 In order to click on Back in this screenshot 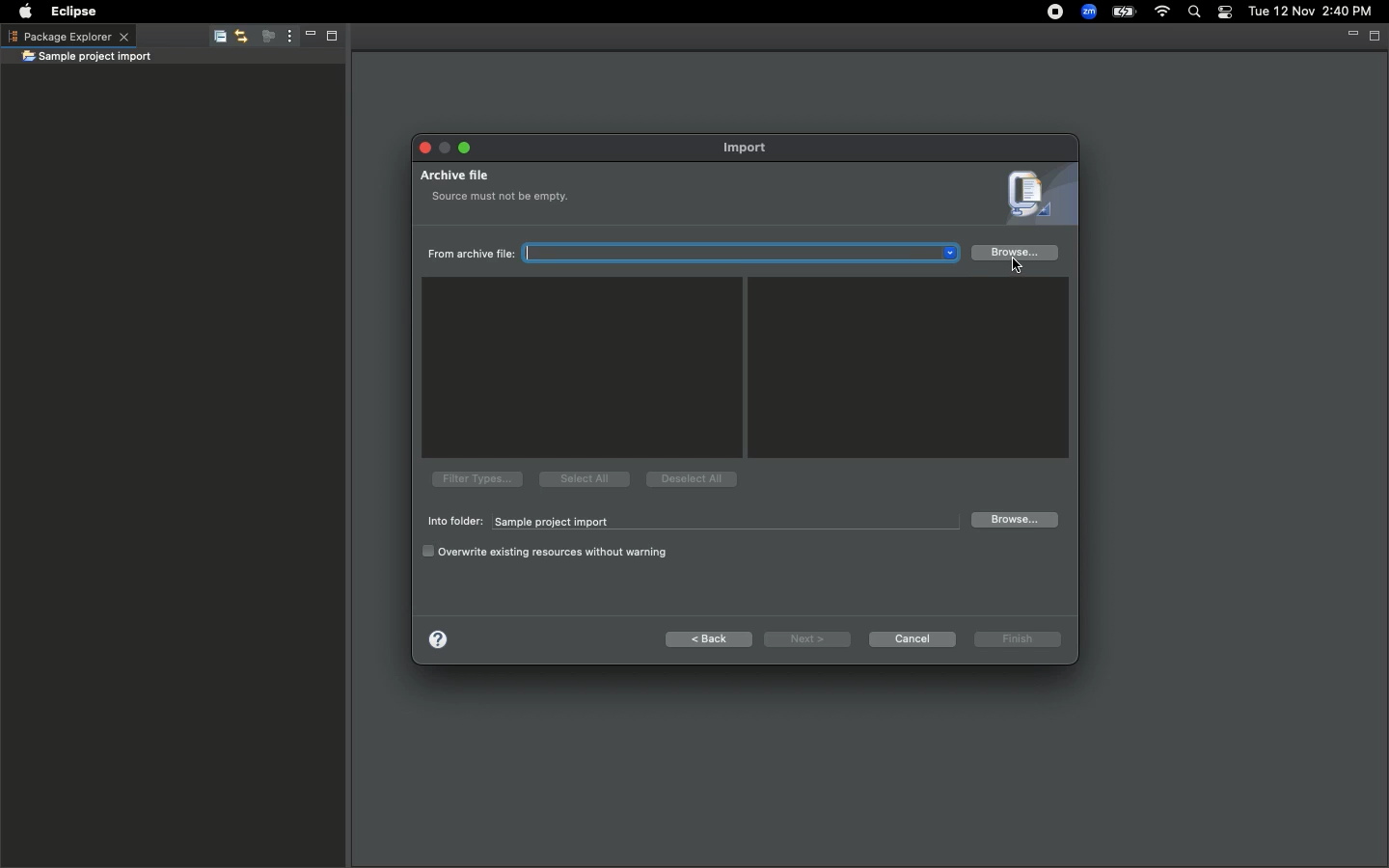, I will do `click(710, 639)`.